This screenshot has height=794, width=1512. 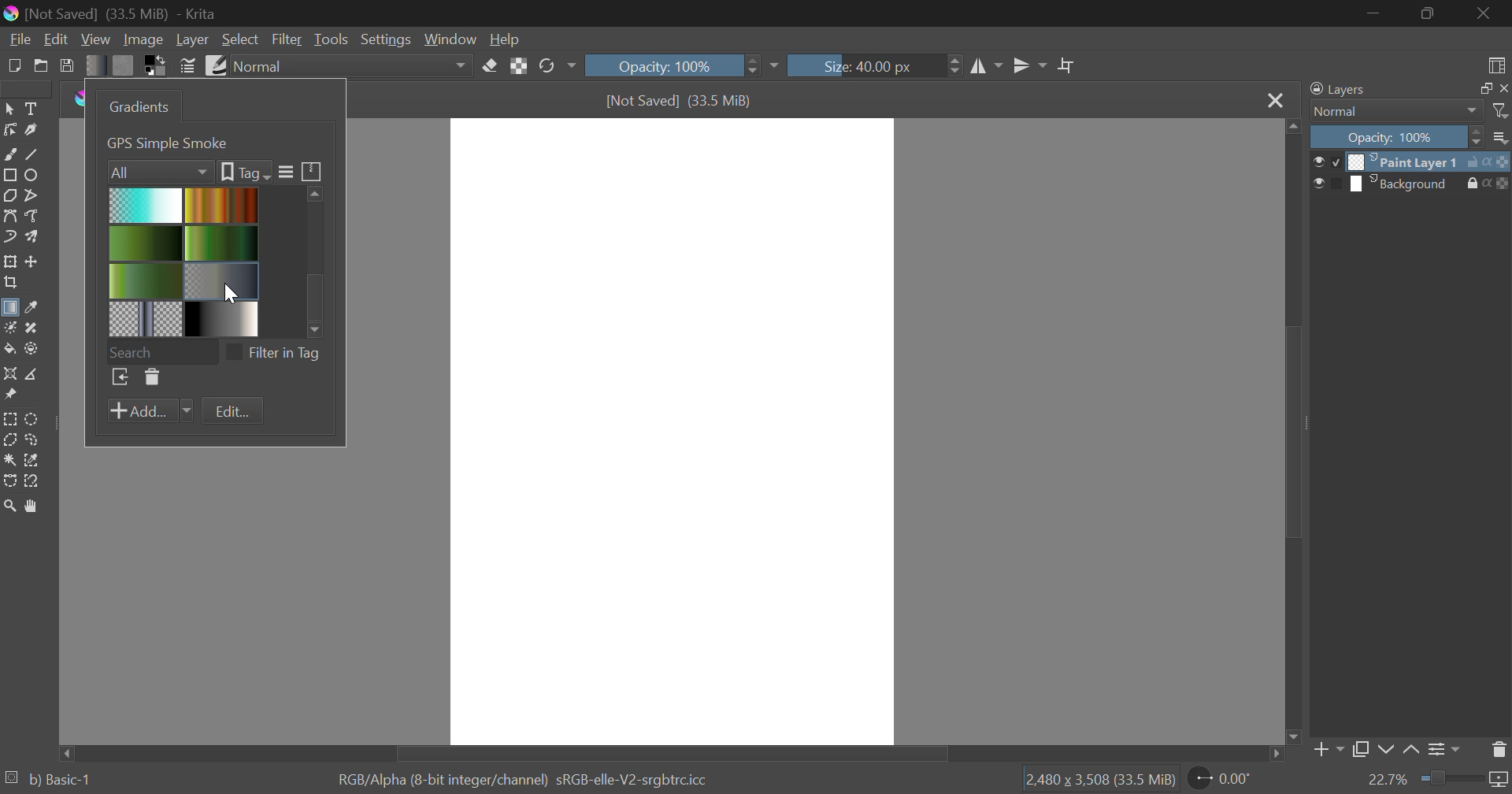 I want to click on View, so click(x=96, y=39).